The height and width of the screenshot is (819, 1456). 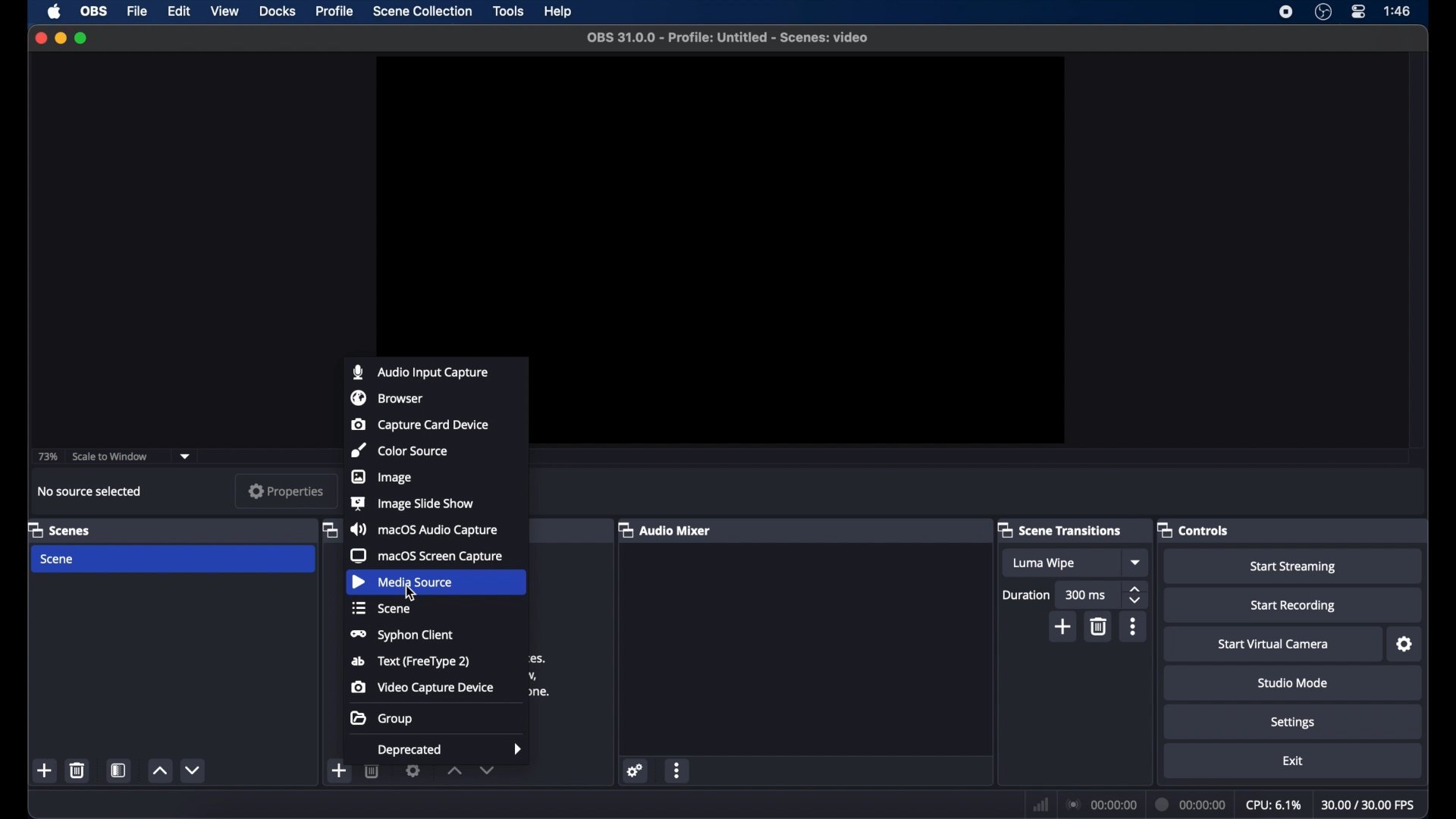 What do you see at coordinates (1277, 645) in the screenshot?
I see `start virtual camera` at bounding box center [1277, 645].